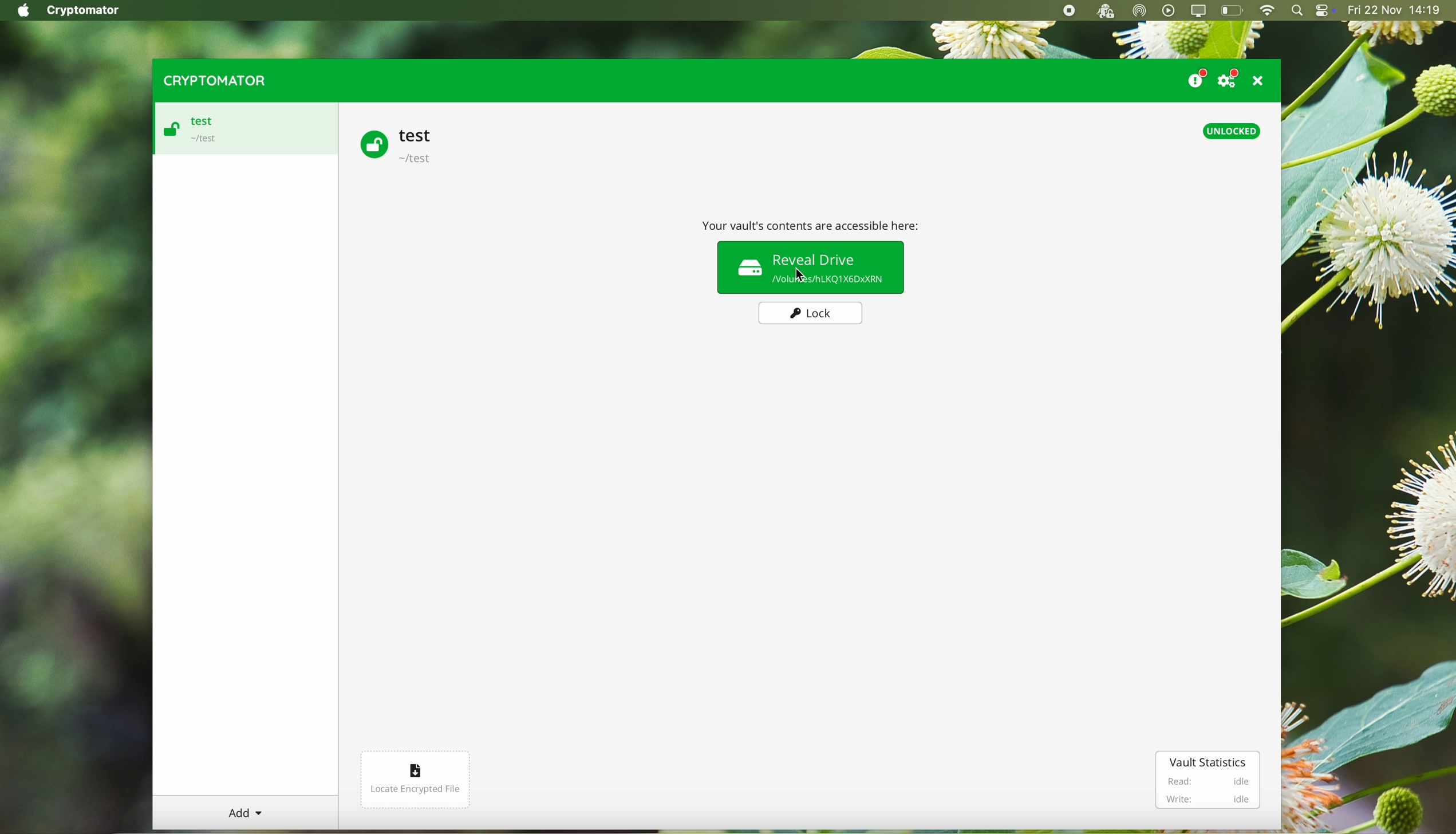  What do you see at coordinates (1297, 11) in the screenshot?
I see `spotlight search` at bounding box center [1297, 11].